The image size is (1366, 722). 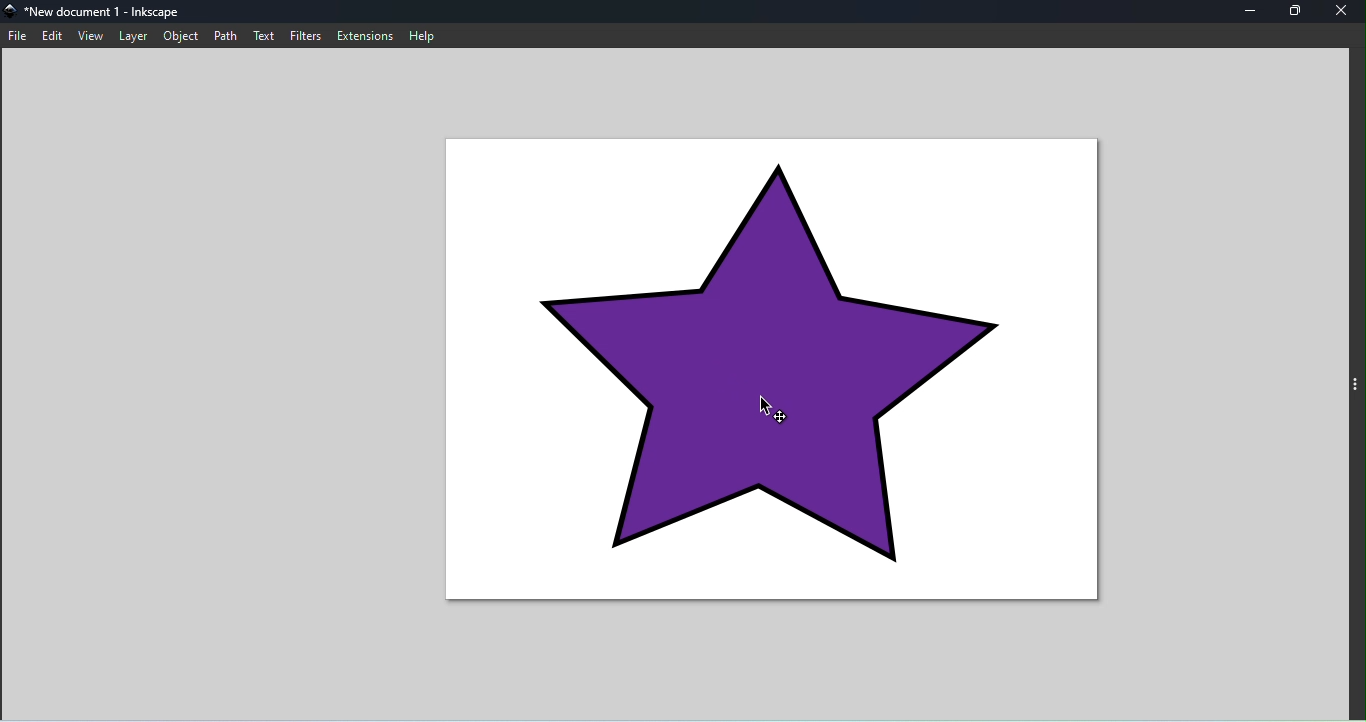 I want to click on extensions, so click(x=364, y=34).